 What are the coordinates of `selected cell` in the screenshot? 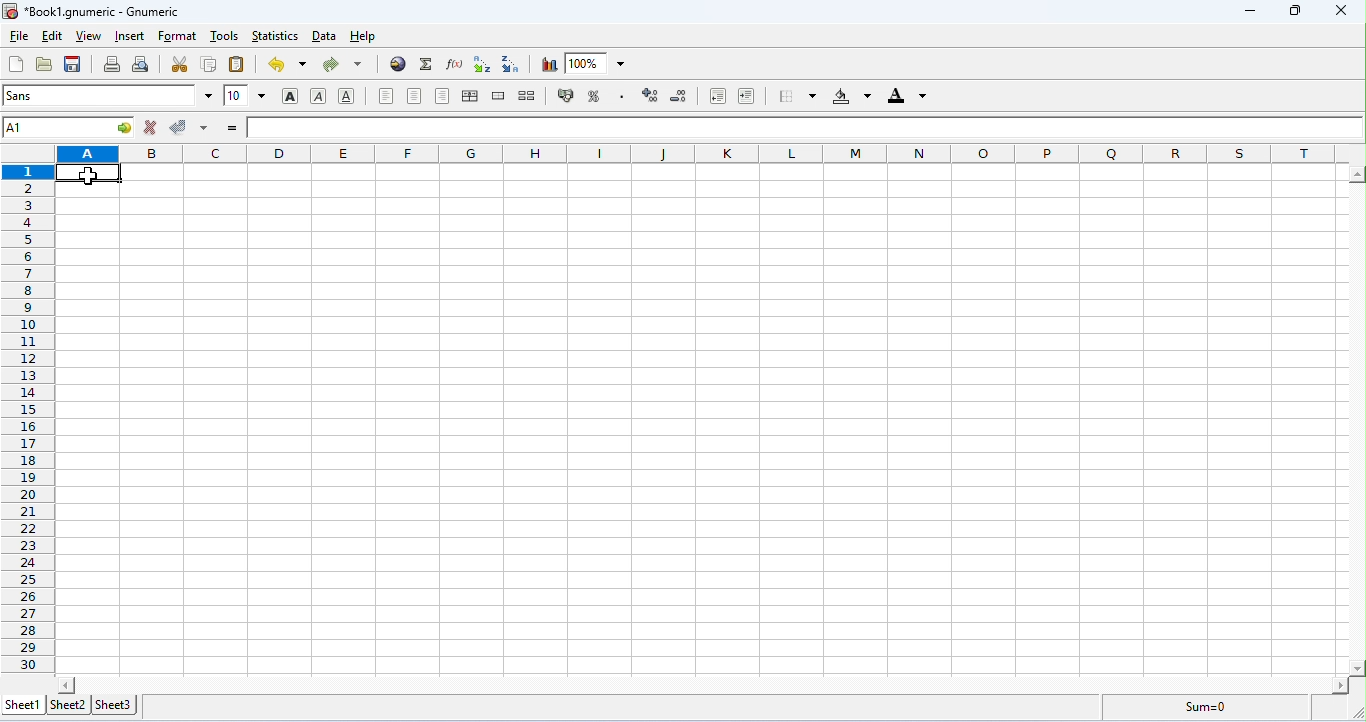 It's located at (88, 172).